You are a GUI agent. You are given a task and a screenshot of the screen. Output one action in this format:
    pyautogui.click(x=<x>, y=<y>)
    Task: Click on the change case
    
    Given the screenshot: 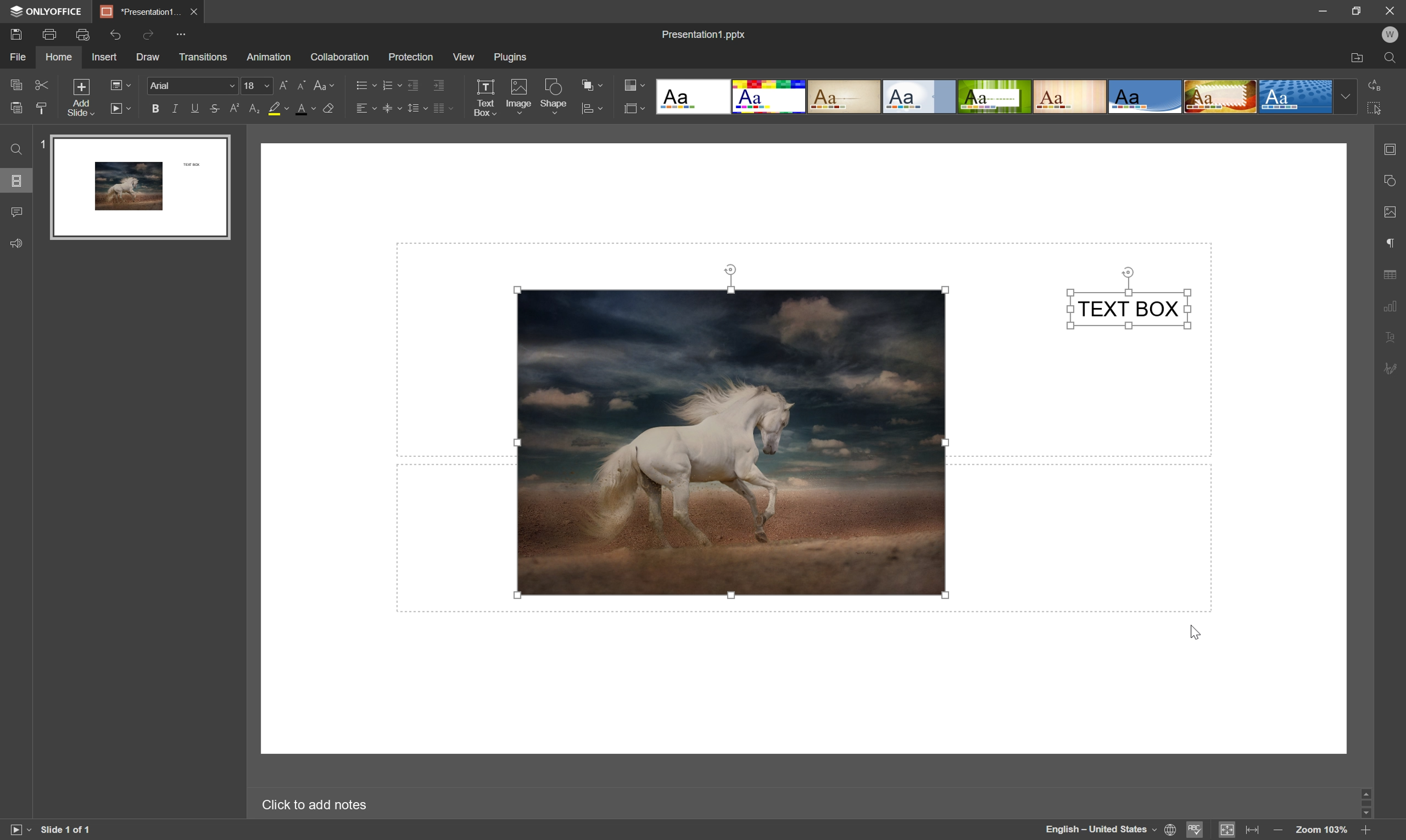 What is the action you would take?
    pyautogui.click(x=326, y=84)
    